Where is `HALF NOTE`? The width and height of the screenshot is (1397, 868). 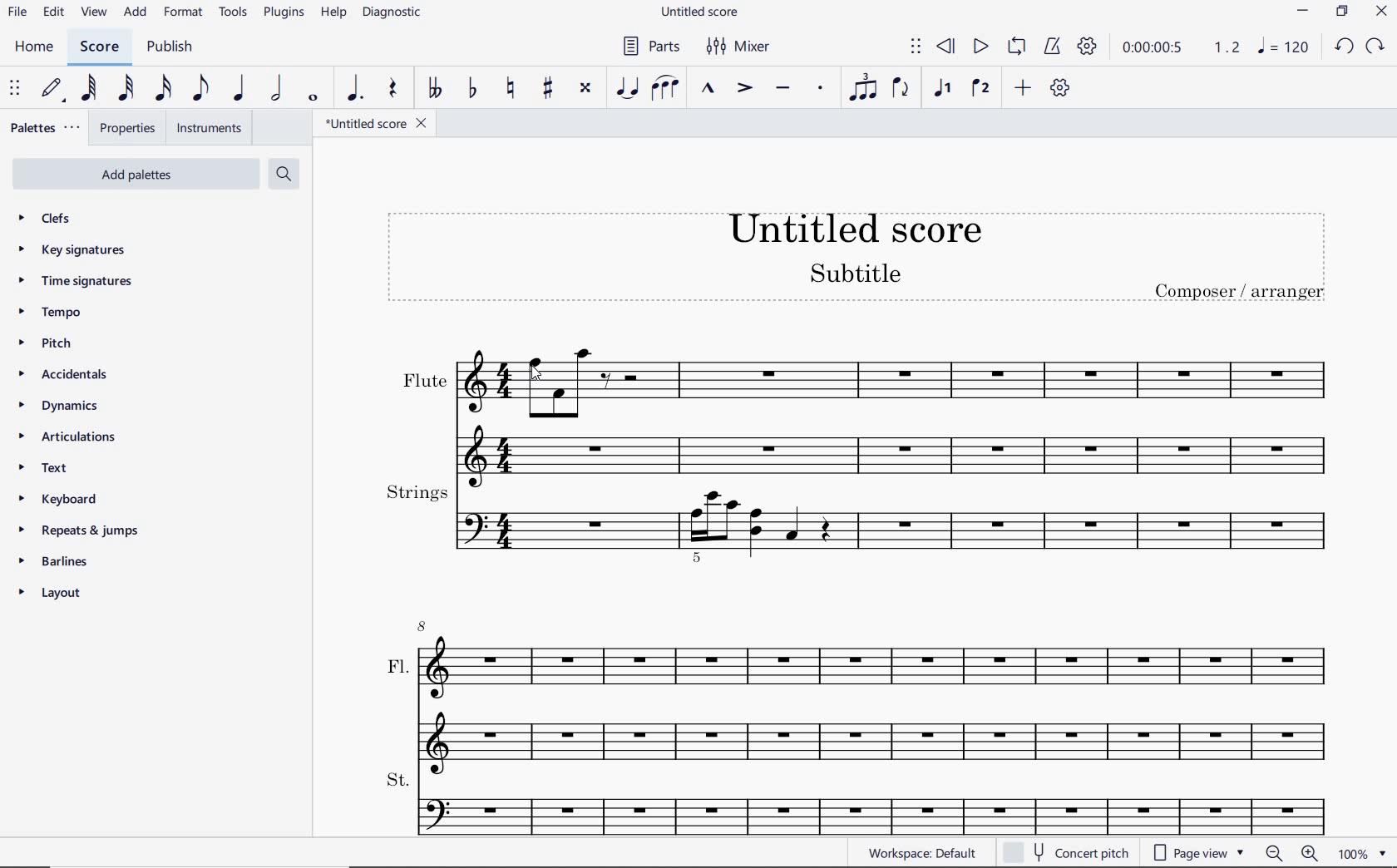 HALF NOTE is located at coordinates (279, 90).